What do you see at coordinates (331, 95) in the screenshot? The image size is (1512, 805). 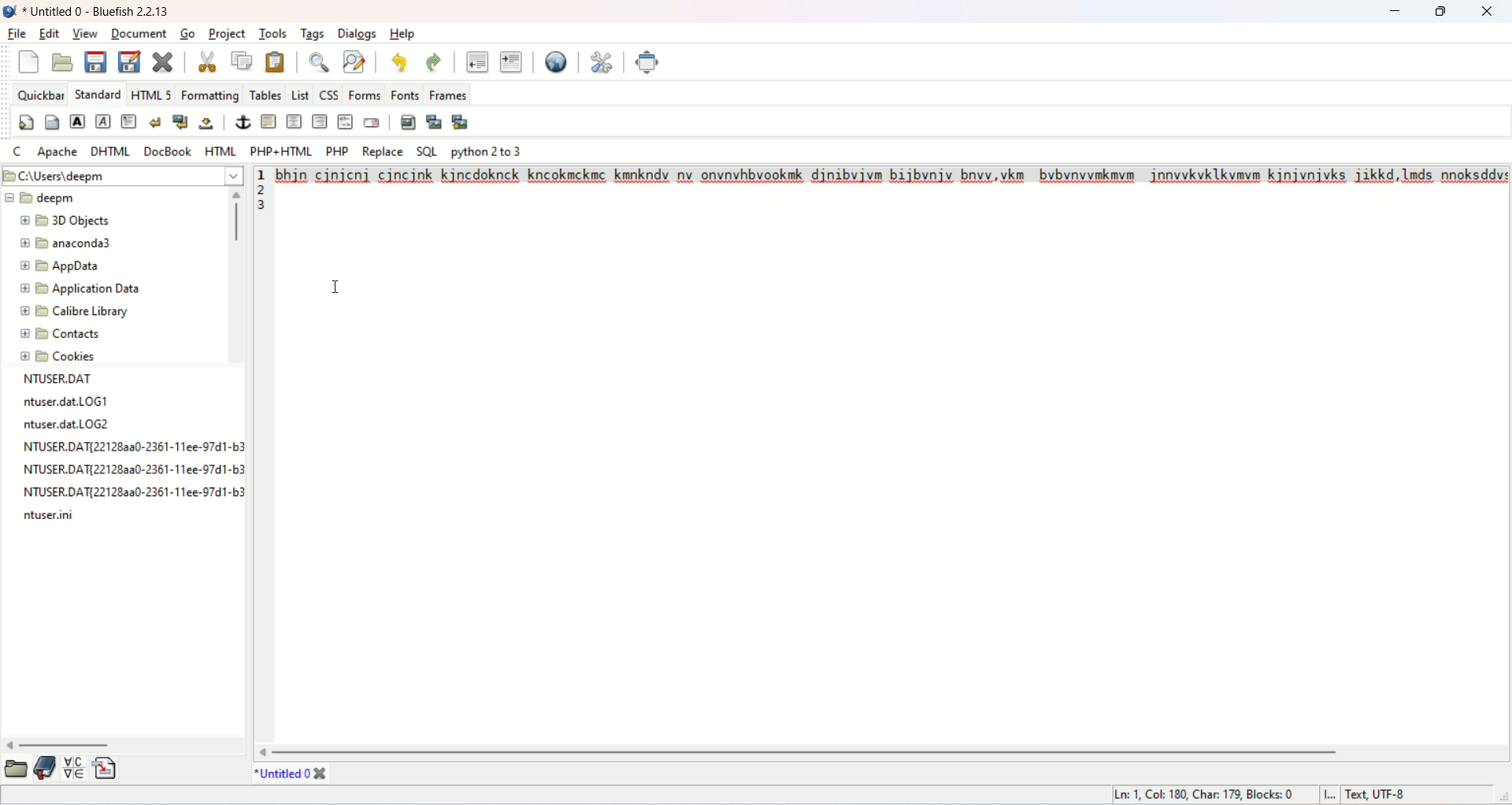 I see `CSS` at bounding box center [331, 95].